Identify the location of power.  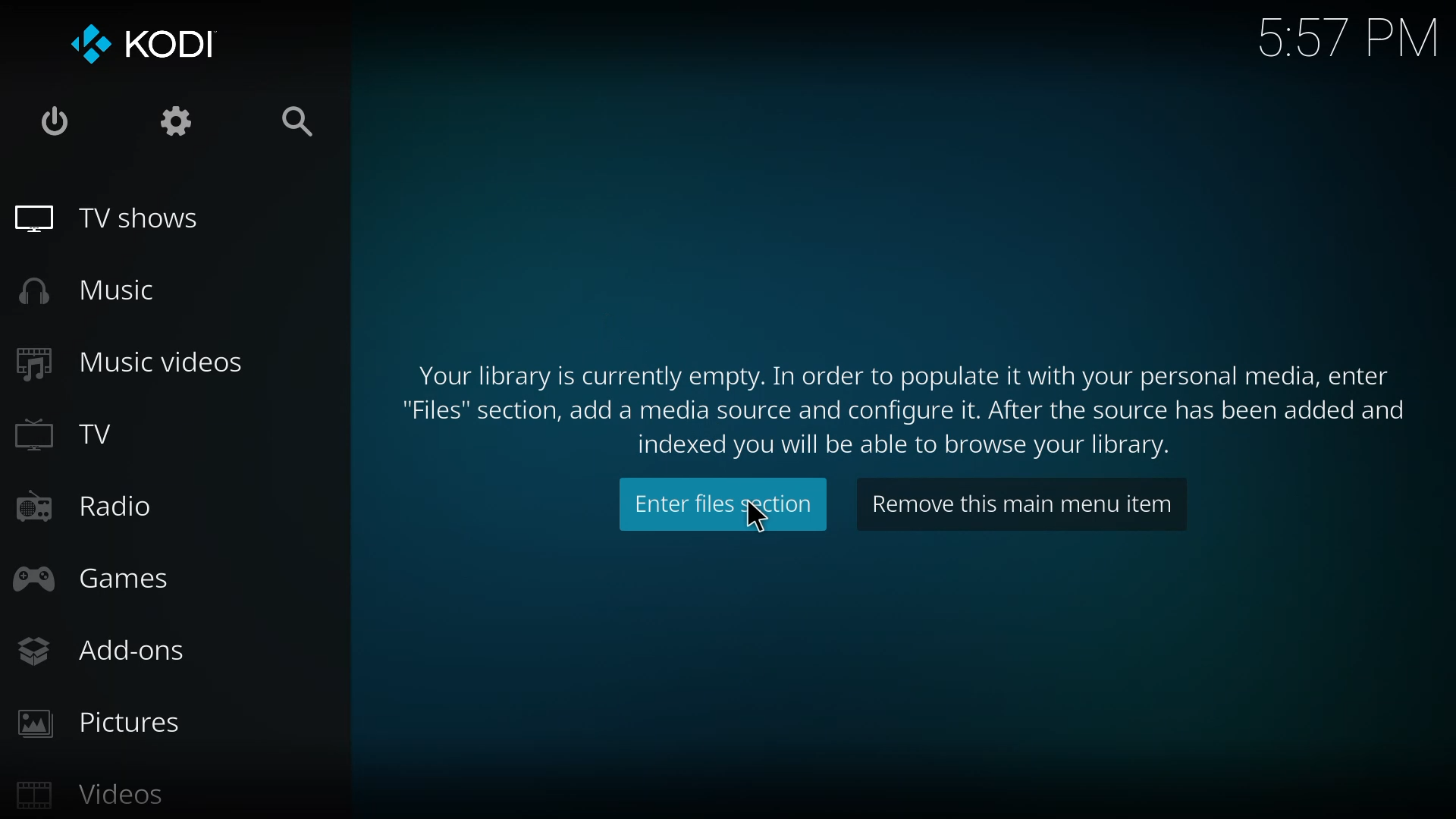
(49, 121).